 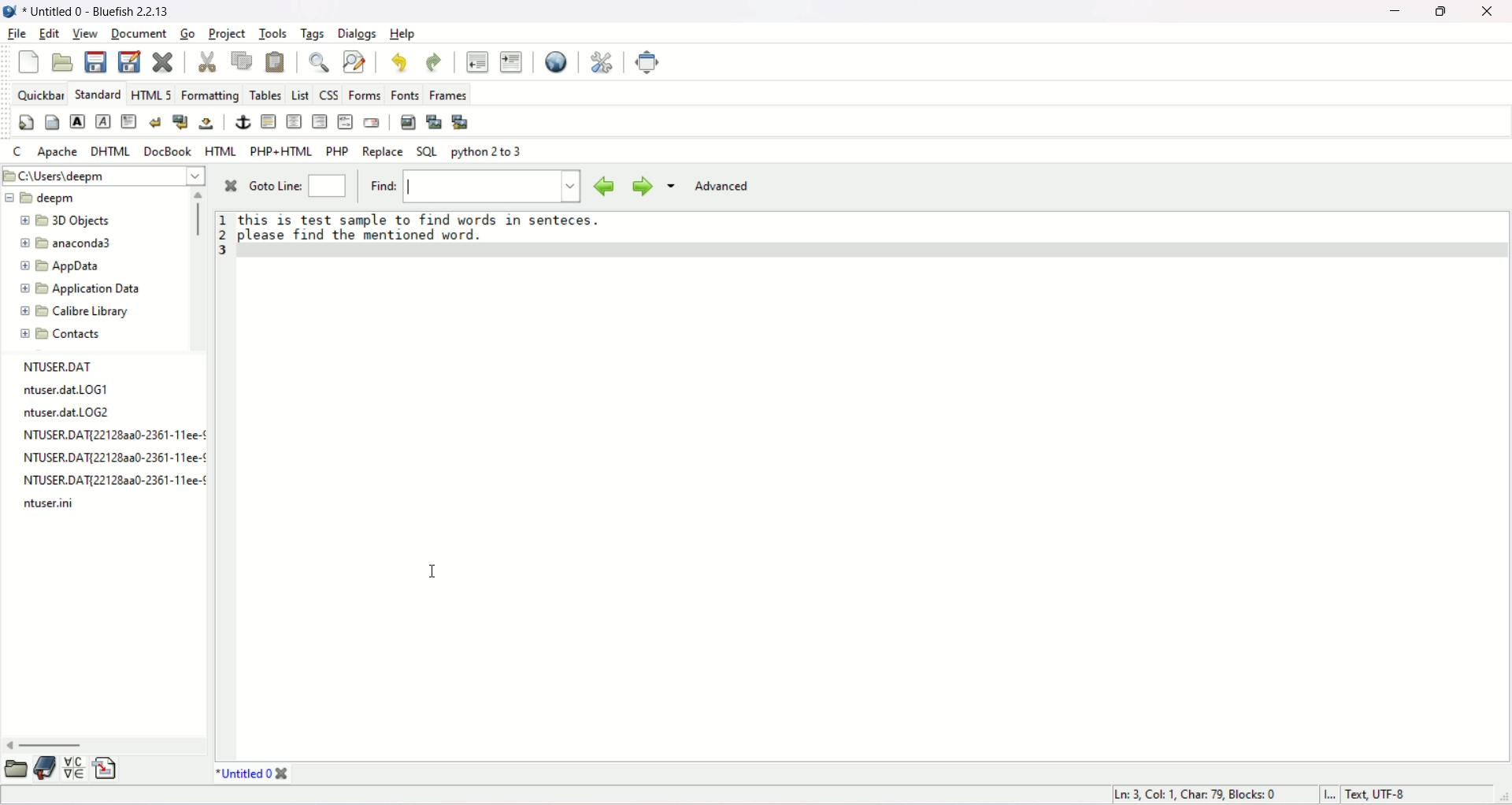 I want to click on quickbar, so click(x=42, y=95).